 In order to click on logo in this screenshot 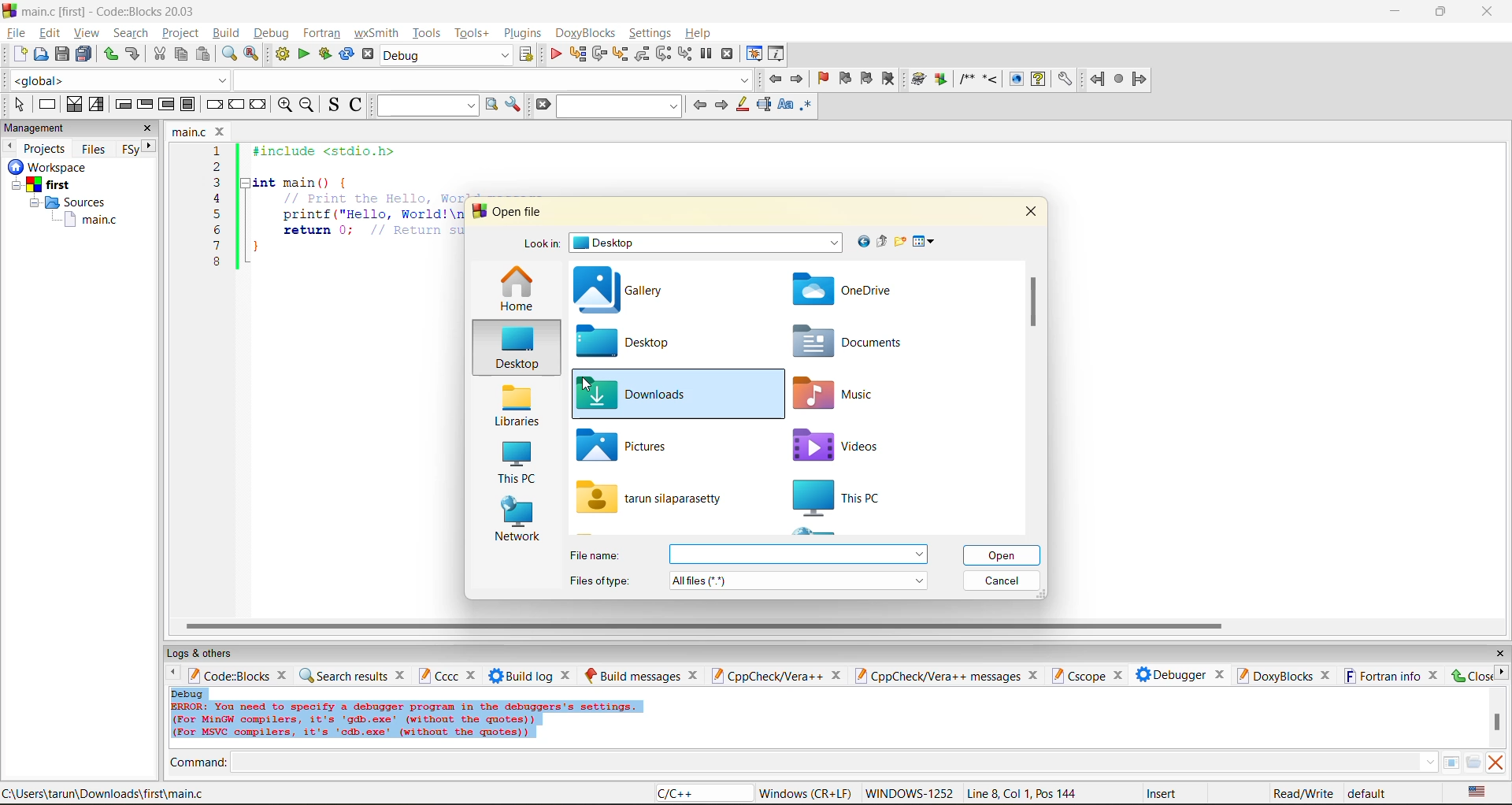, I will do `click(9, 9)`.